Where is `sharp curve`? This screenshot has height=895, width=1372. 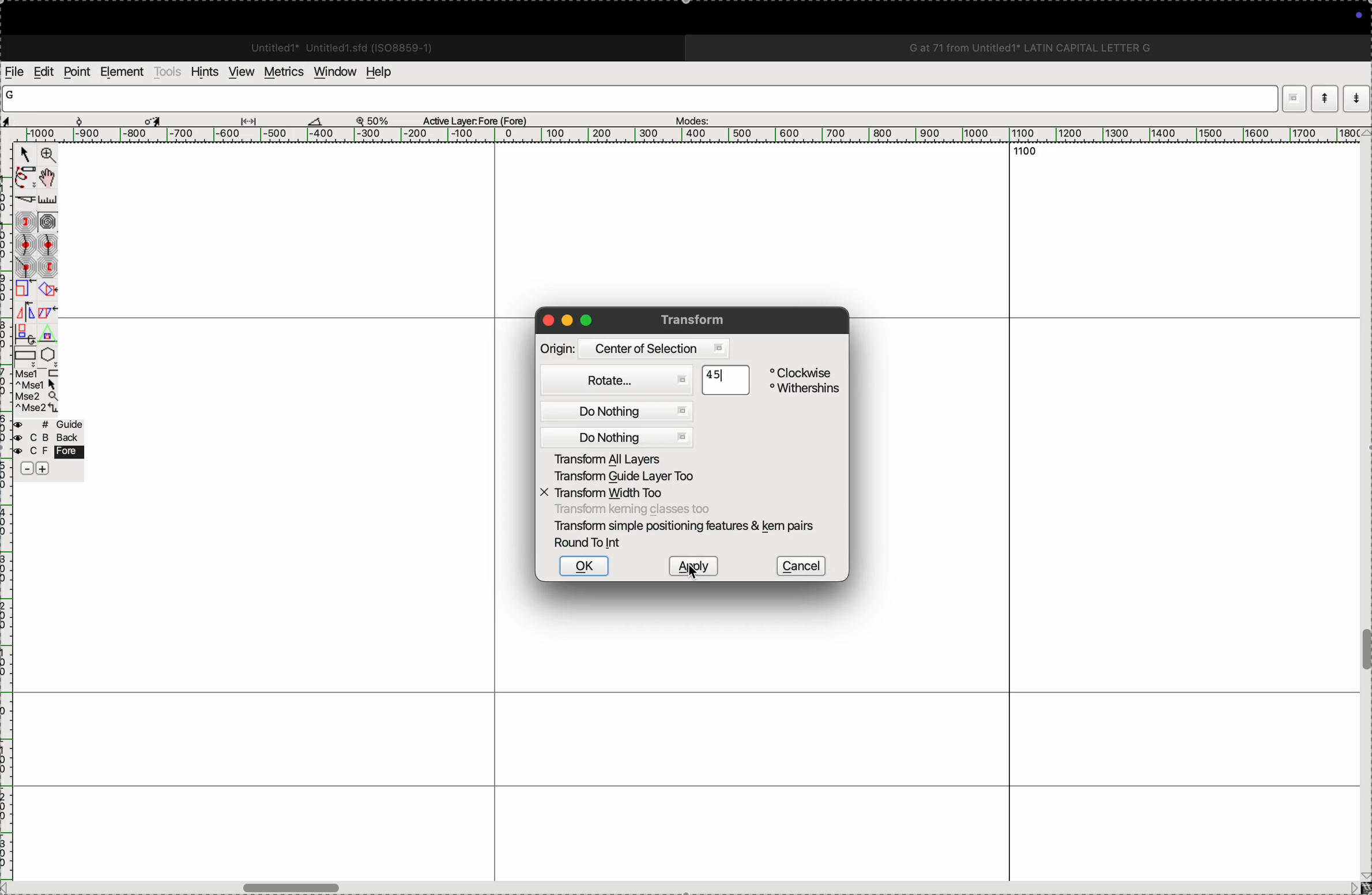 sharp curve is located at coordinates (47, 244).